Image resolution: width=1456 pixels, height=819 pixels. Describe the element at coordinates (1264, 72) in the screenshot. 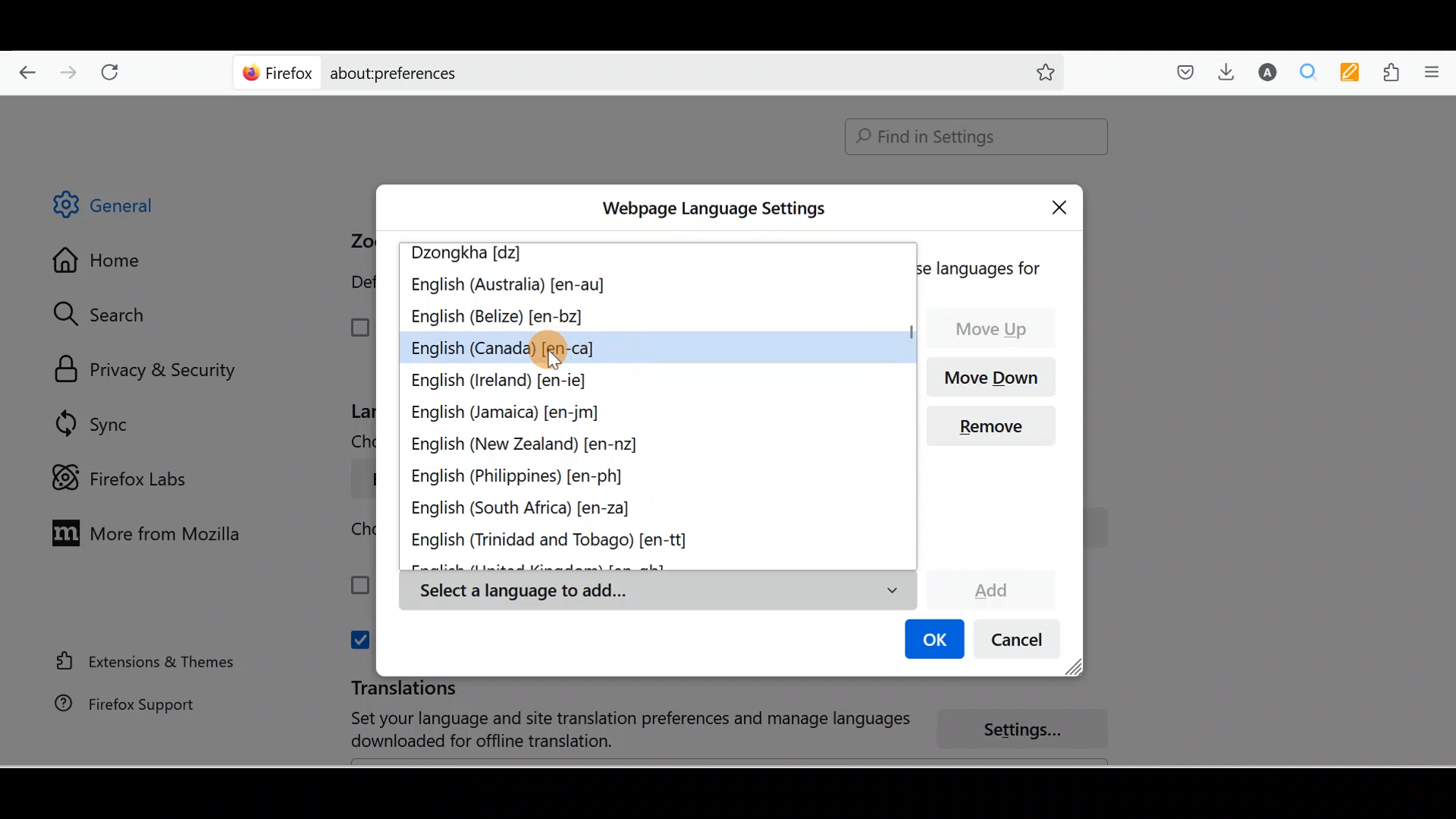

I see `Account` at that location.